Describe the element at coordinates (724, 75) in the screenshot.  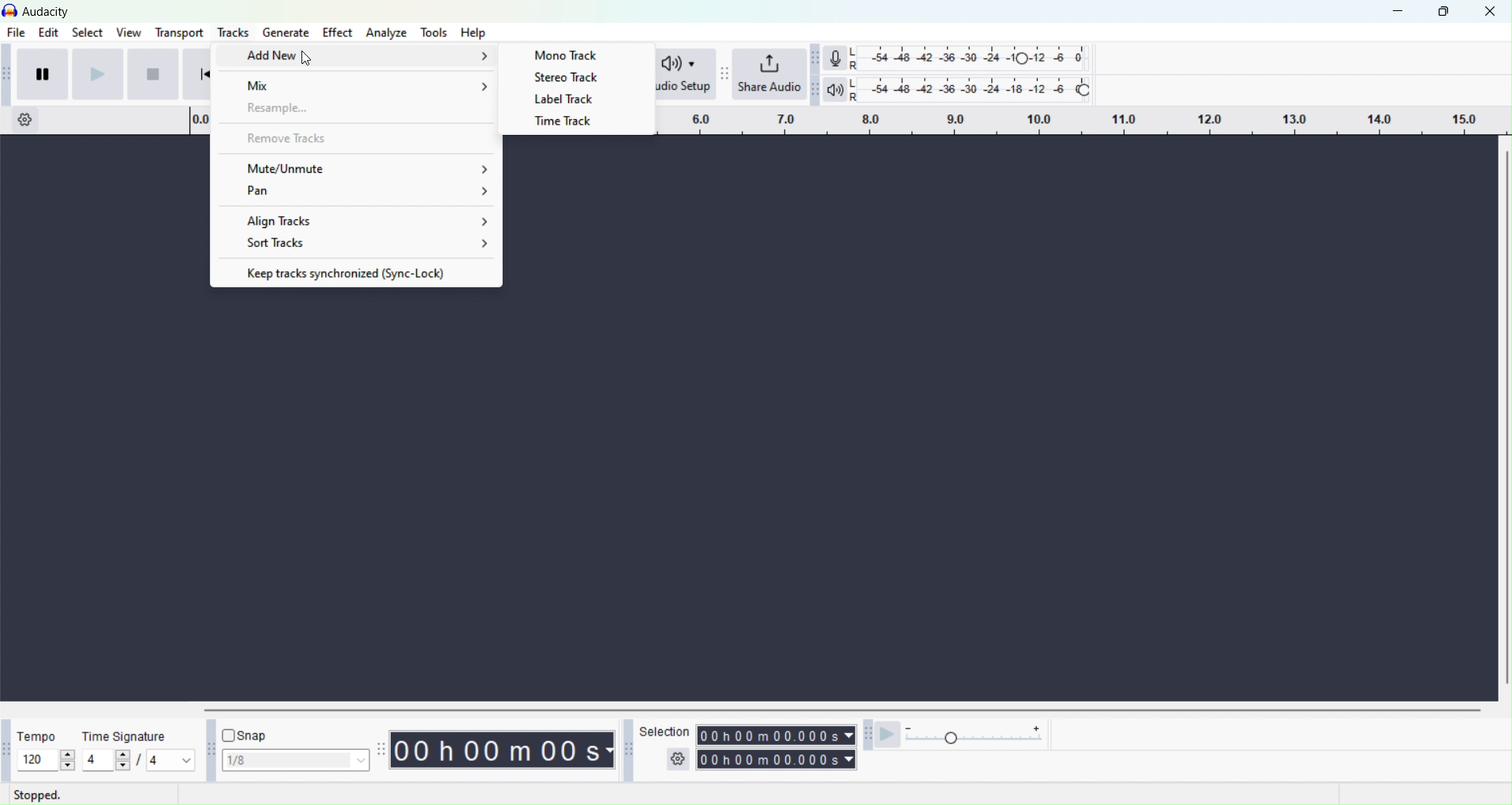
I see `Audacity share audio toolbar` at that location.